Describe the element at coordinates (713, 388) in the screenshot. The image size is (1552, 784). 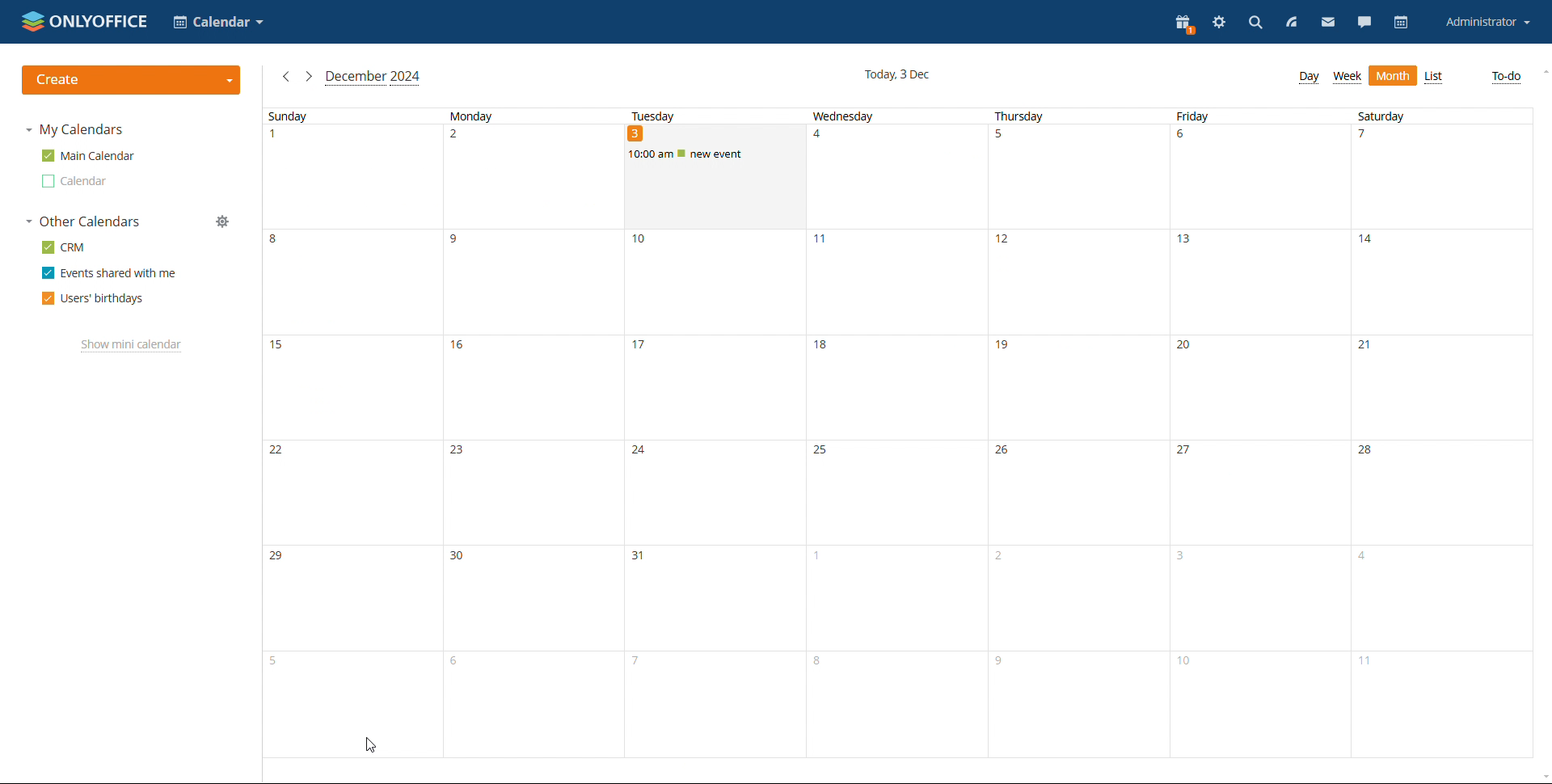
I see `17` at that location.